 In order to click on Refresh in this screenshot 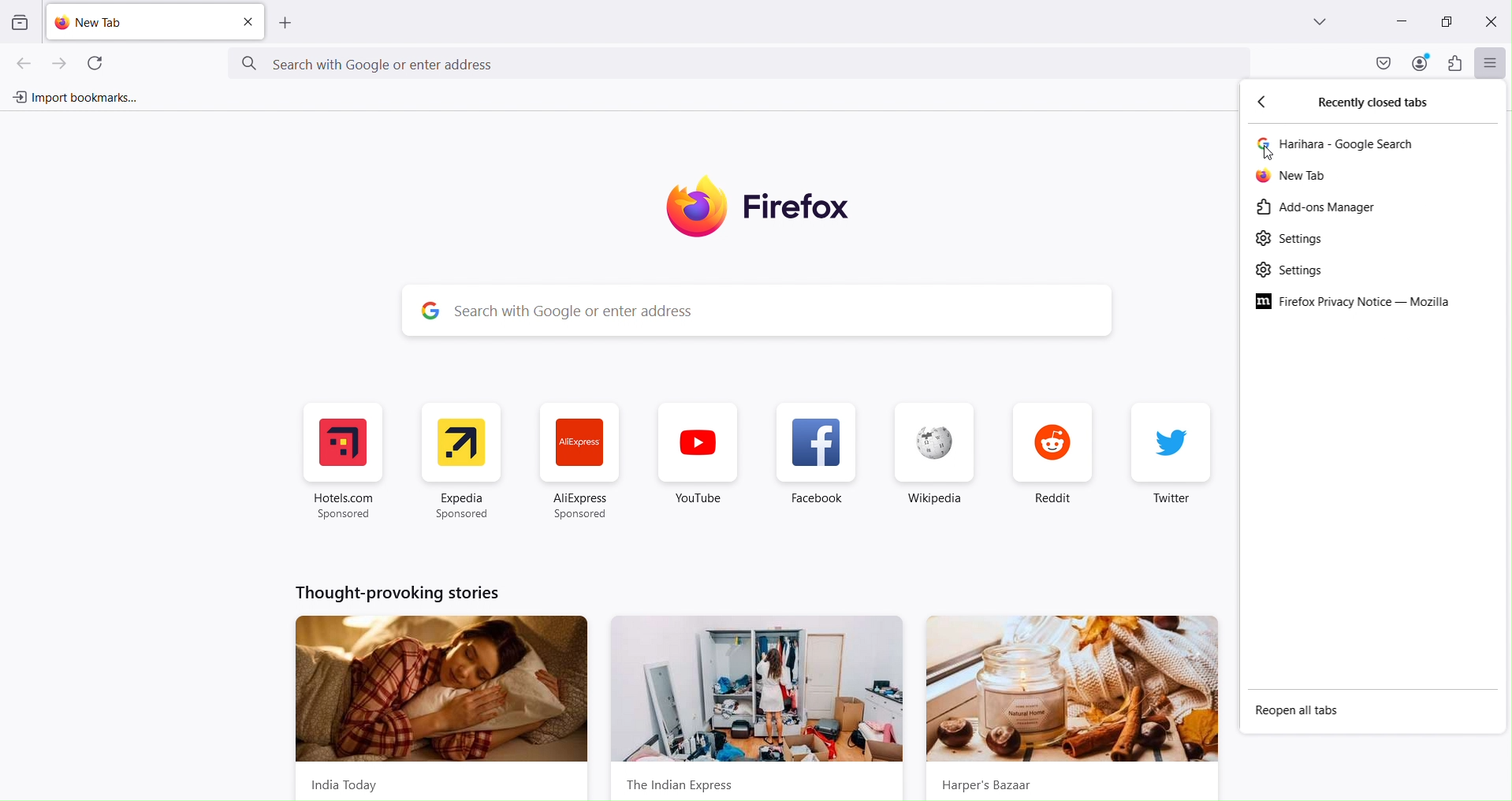, I will do `click(95, 61)`.